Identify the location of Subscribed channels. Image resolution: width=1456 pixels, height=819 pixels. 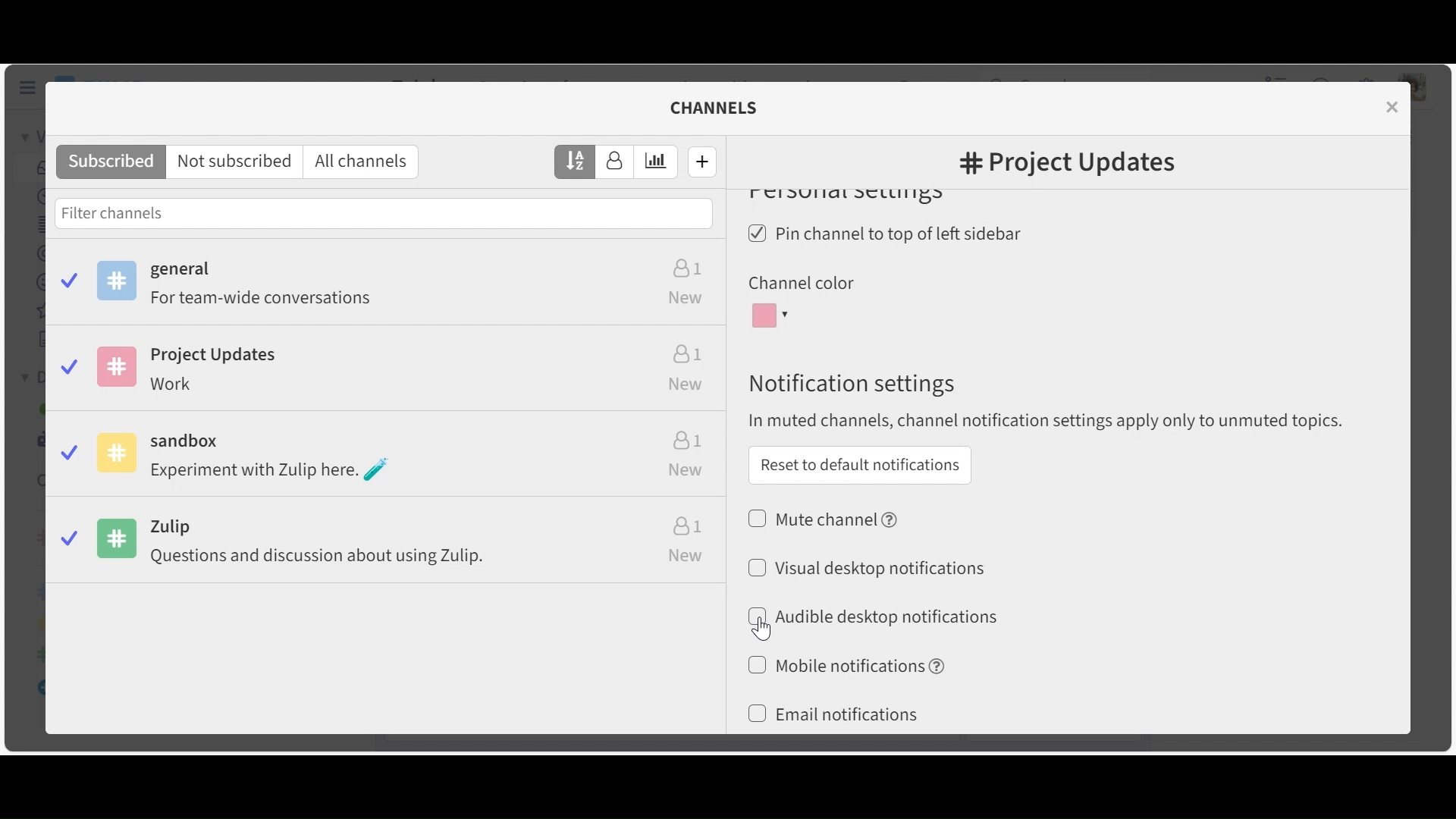
(389, 287).